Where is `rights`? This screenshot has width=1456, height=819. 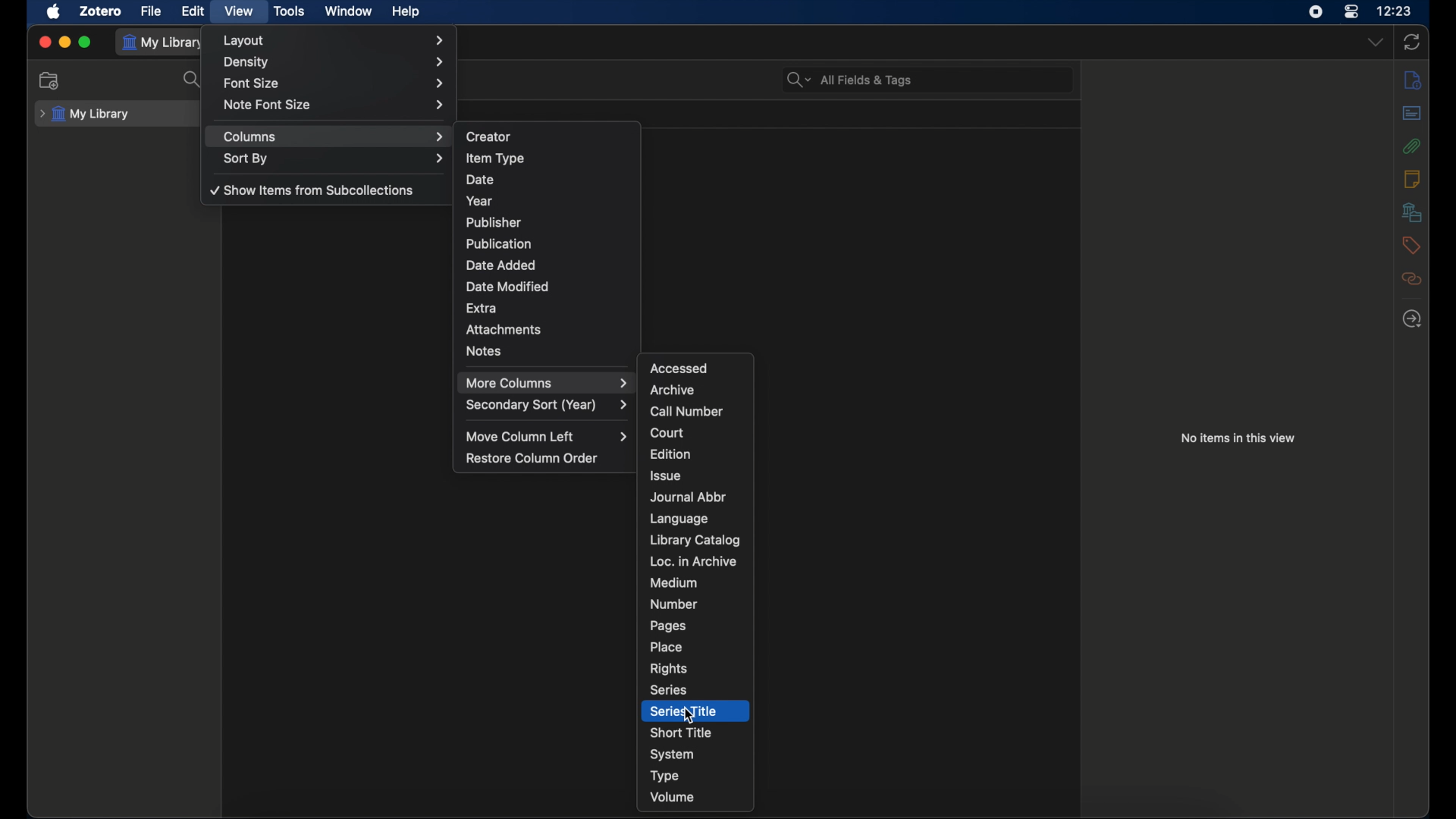 rights is located at coordinates (669, 668).